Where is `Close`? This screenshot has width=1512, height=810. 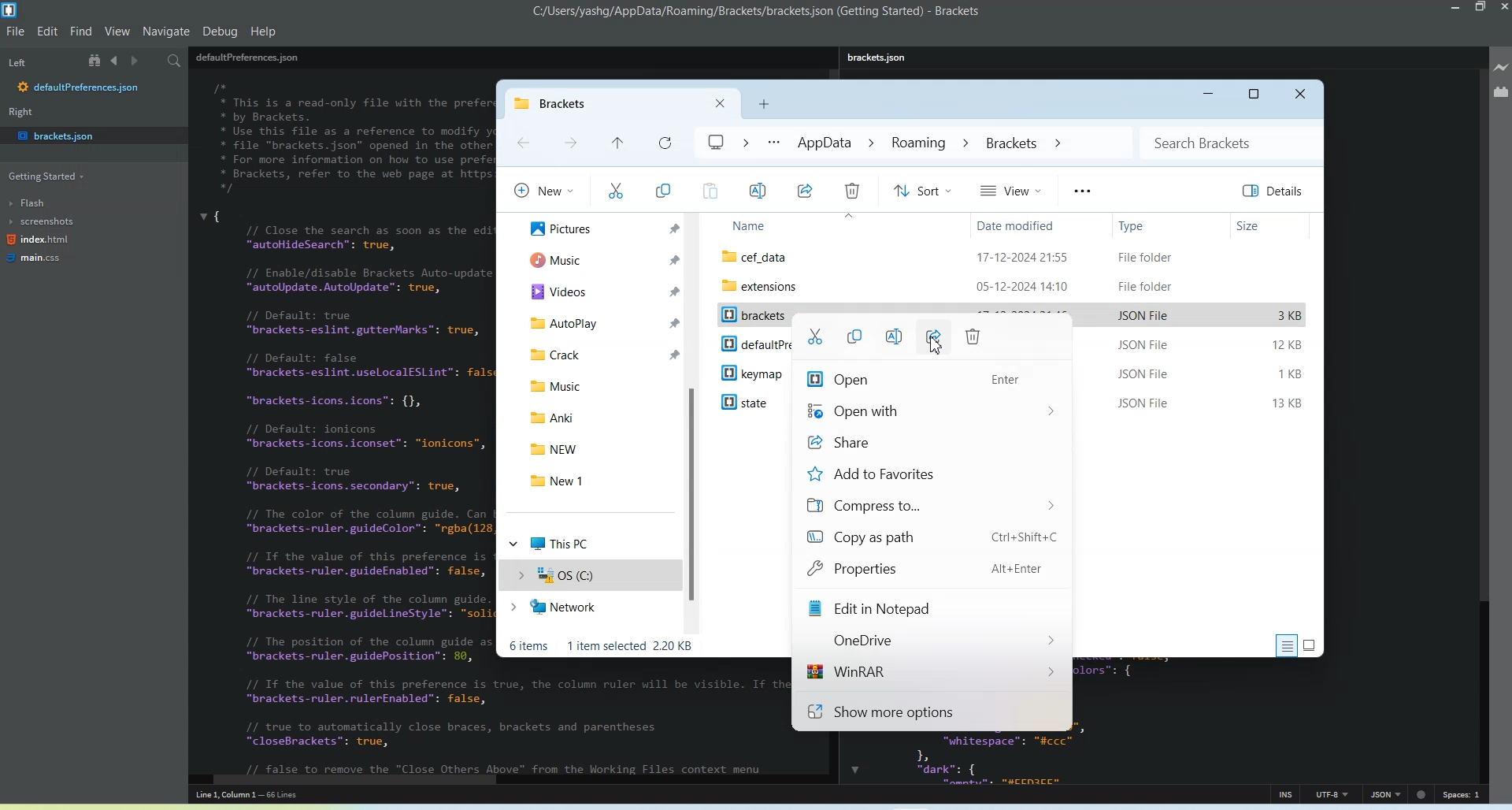 Close is located at coordinates (1302, 95).